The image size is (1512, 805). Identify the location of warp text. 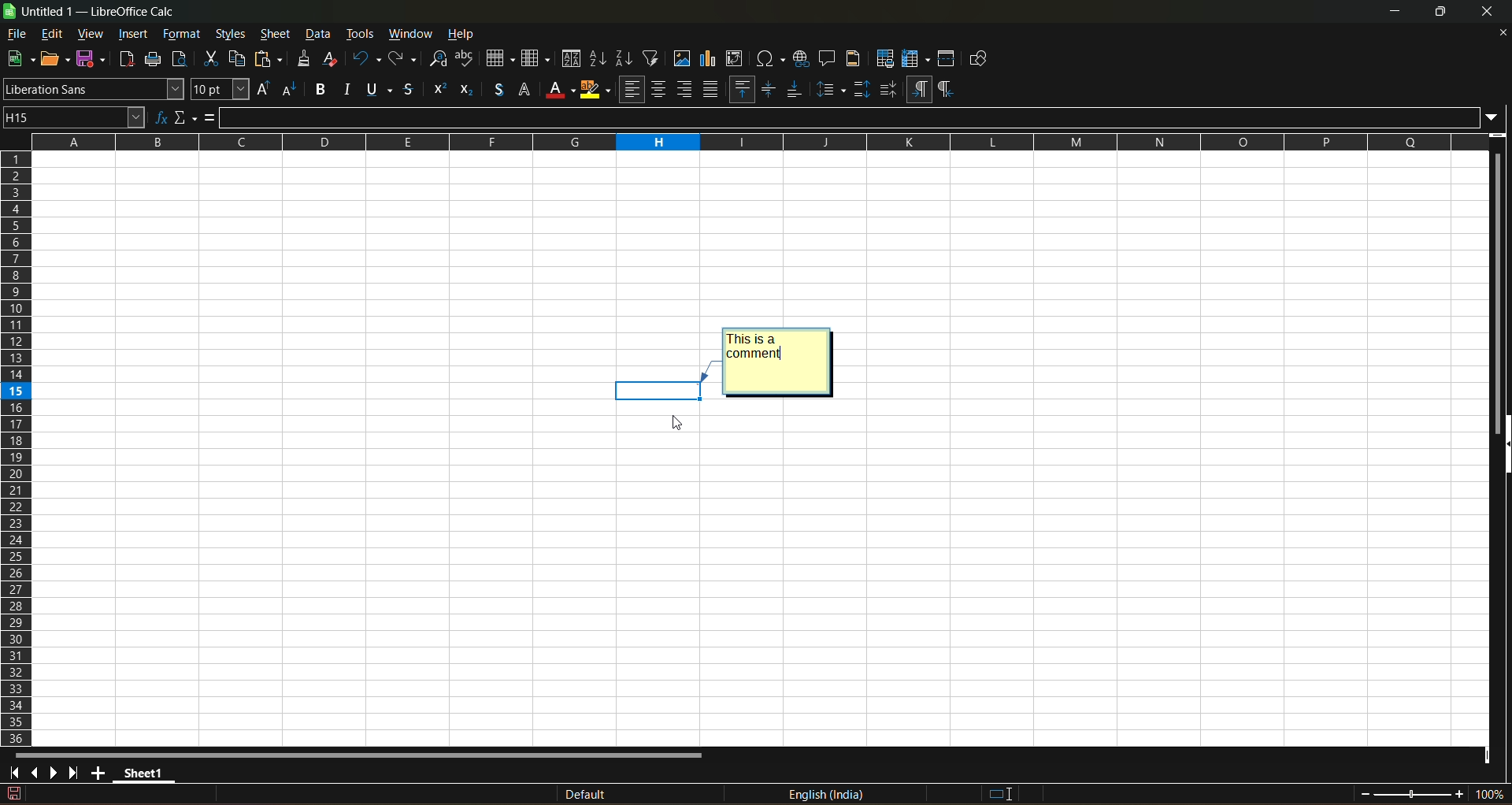
(608, 90).